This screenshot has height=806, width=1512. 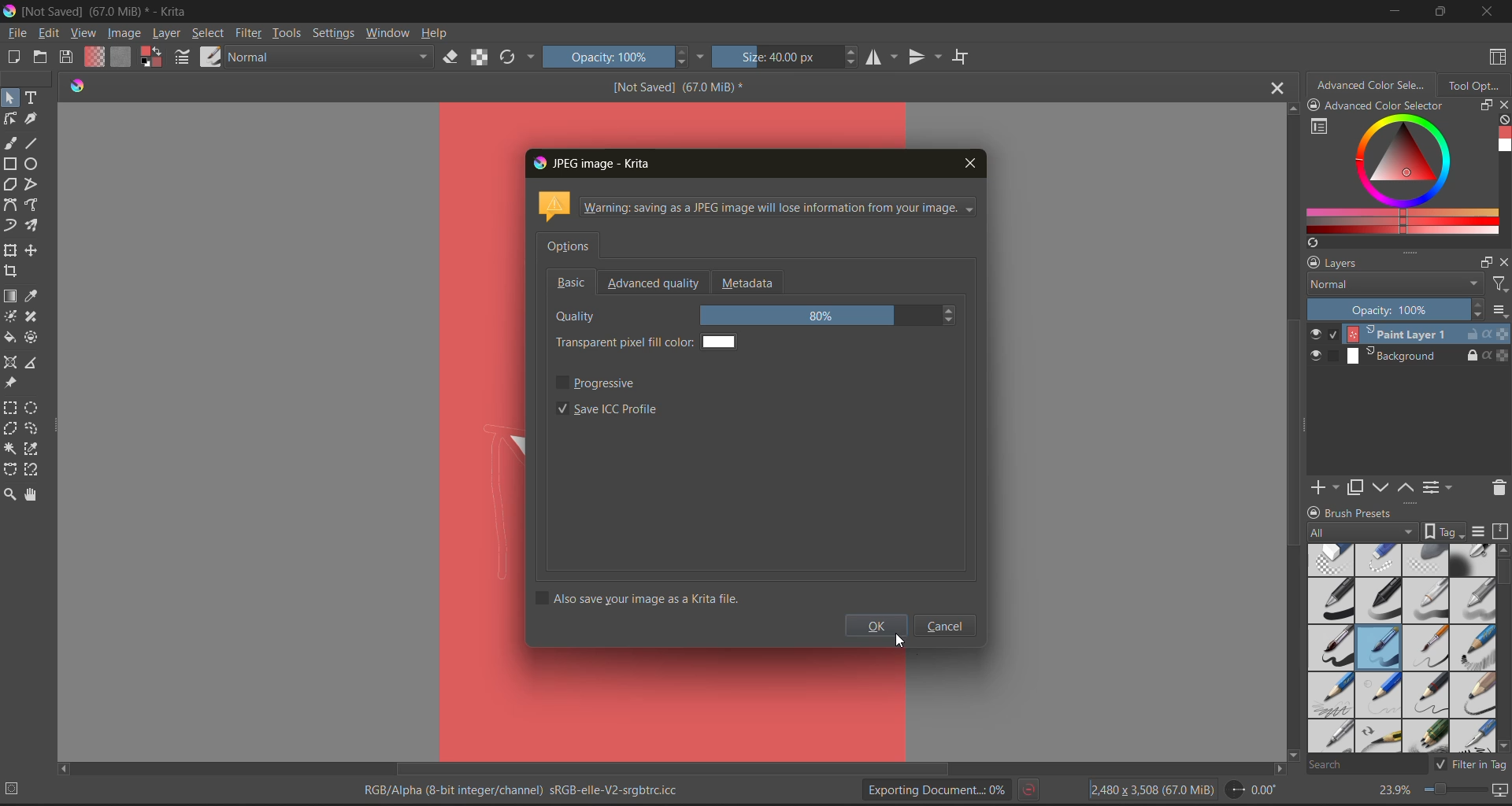 I want to click on tools, so click(x=35, y=409).